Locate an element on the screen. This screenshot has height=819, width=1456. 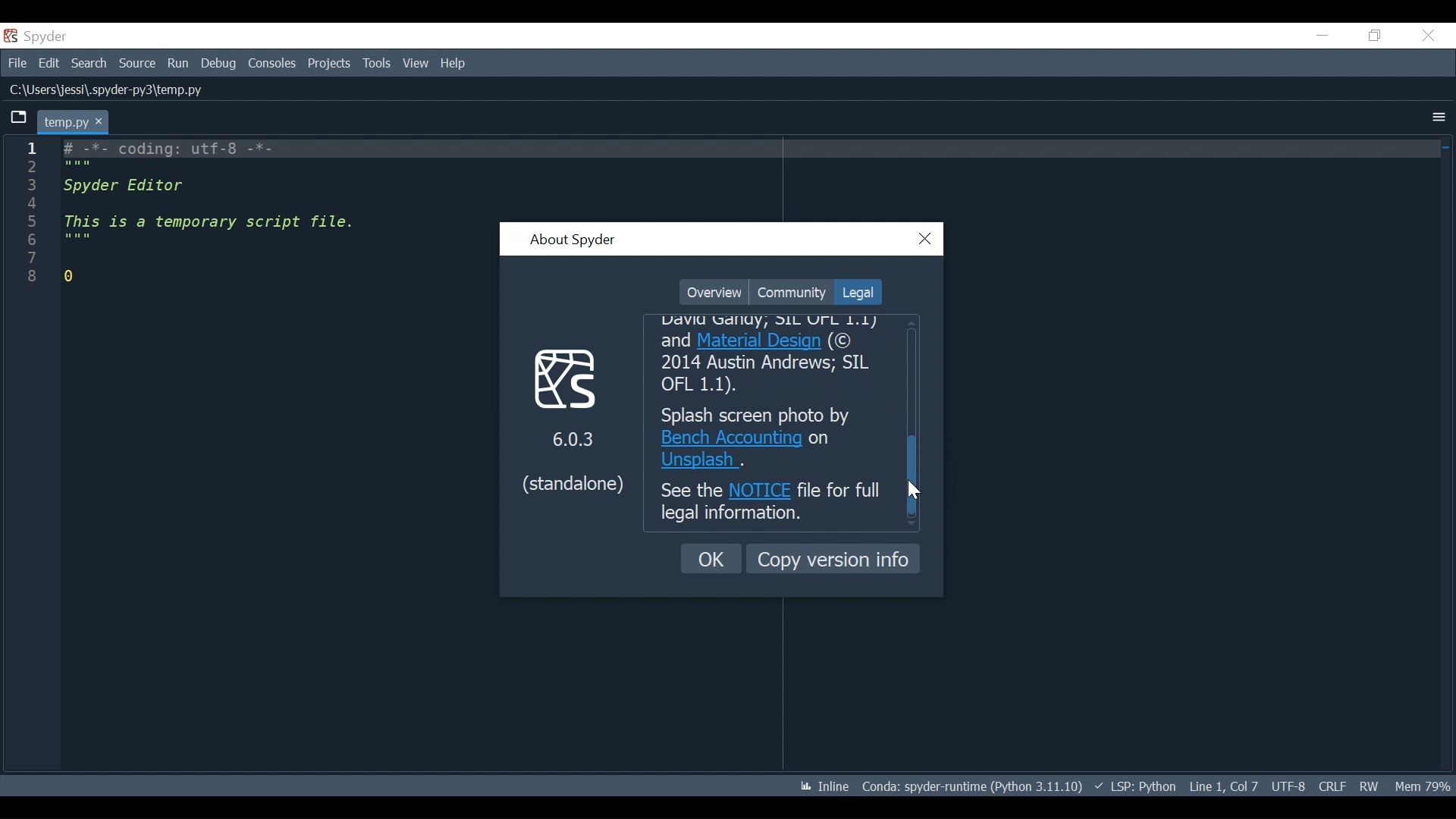
Run is located at coordinates (179, 64).